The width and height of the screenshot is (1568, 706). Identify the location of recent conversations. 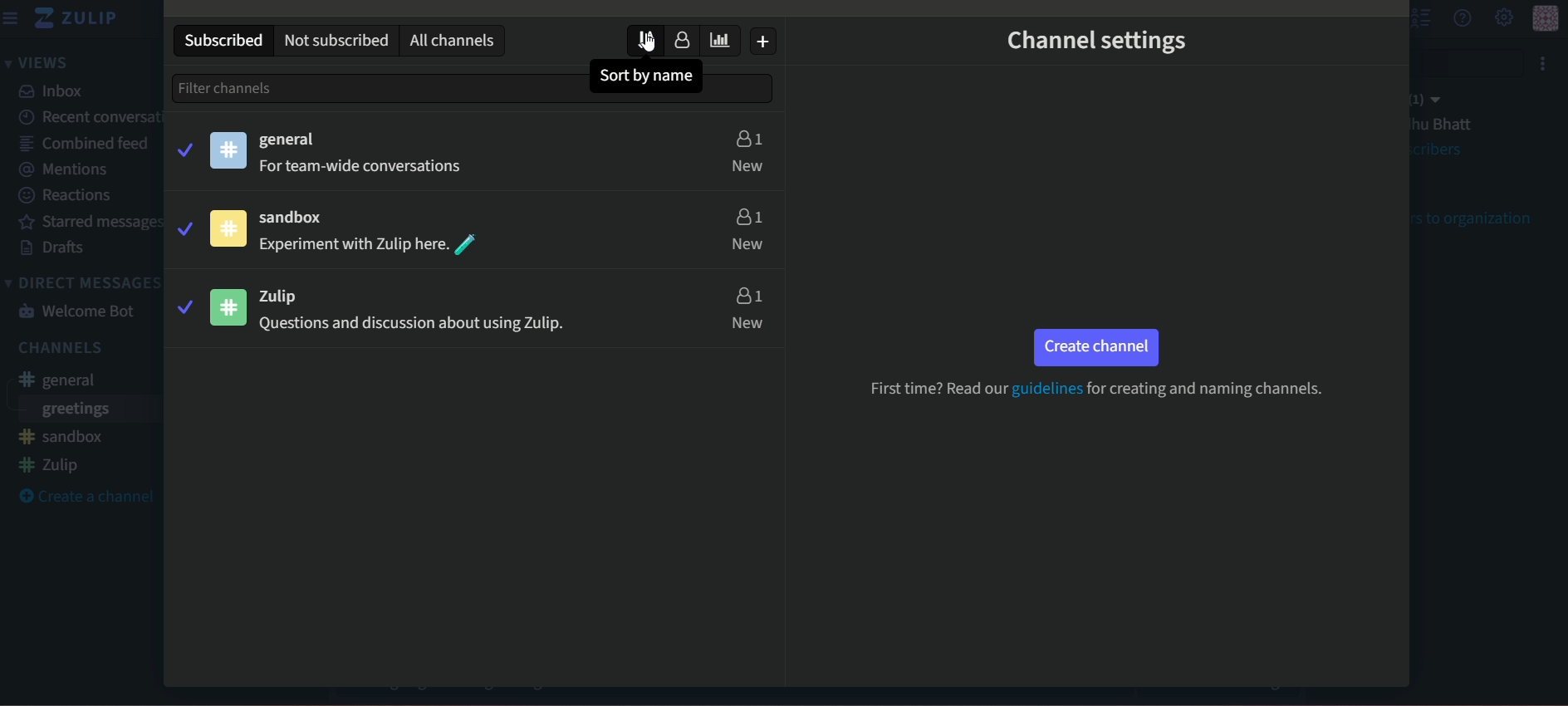
(105, 117).